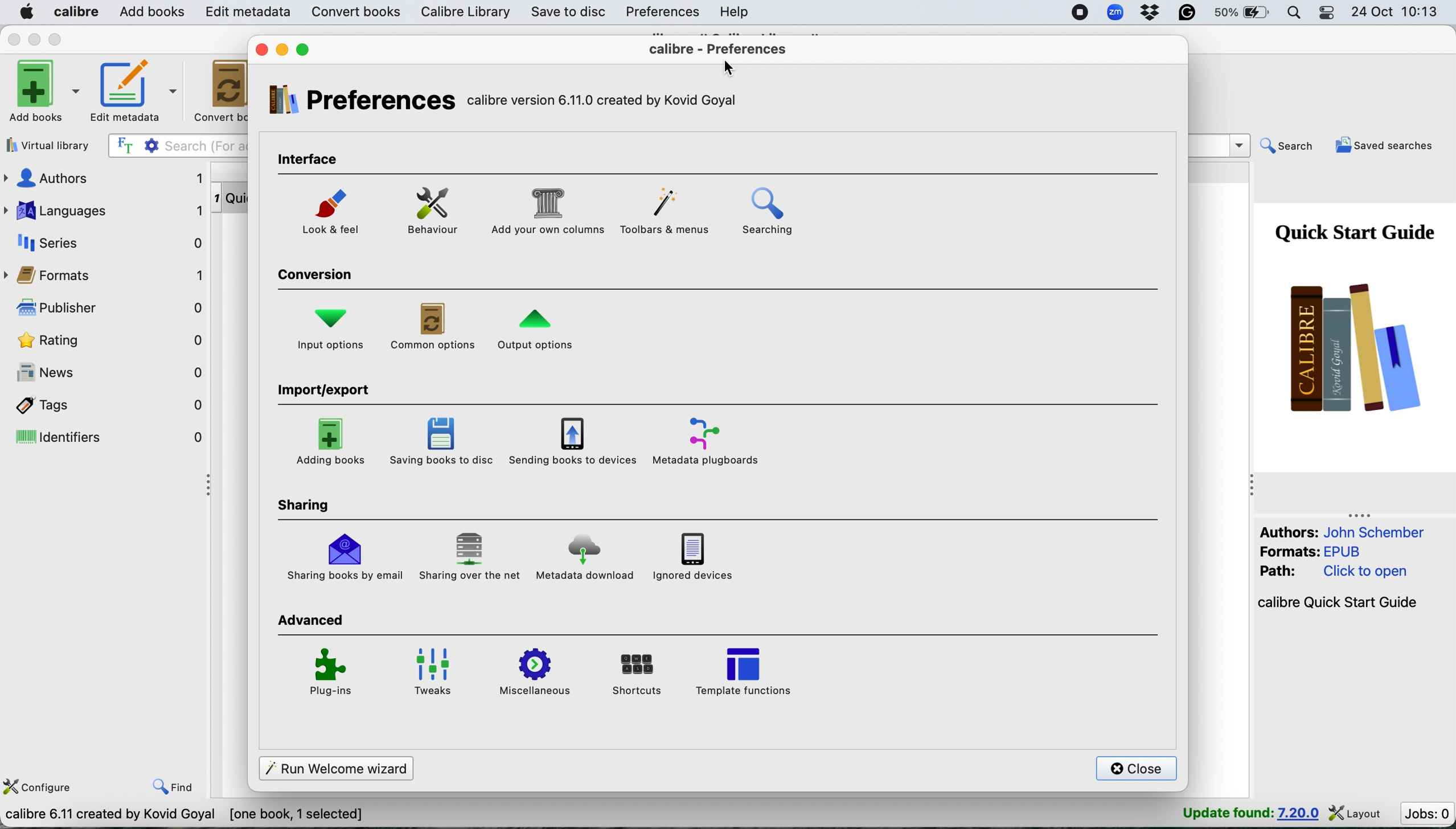  I want to click on run welcome wizards, so click(335, 769).